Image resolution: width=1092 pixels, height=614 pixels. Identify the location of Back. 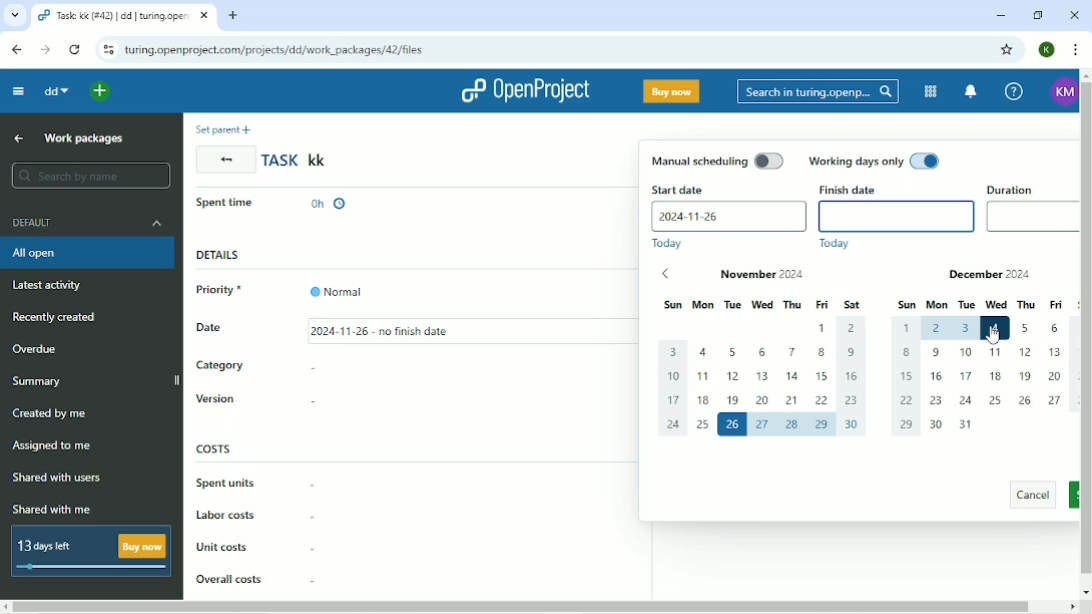
(225, 159).